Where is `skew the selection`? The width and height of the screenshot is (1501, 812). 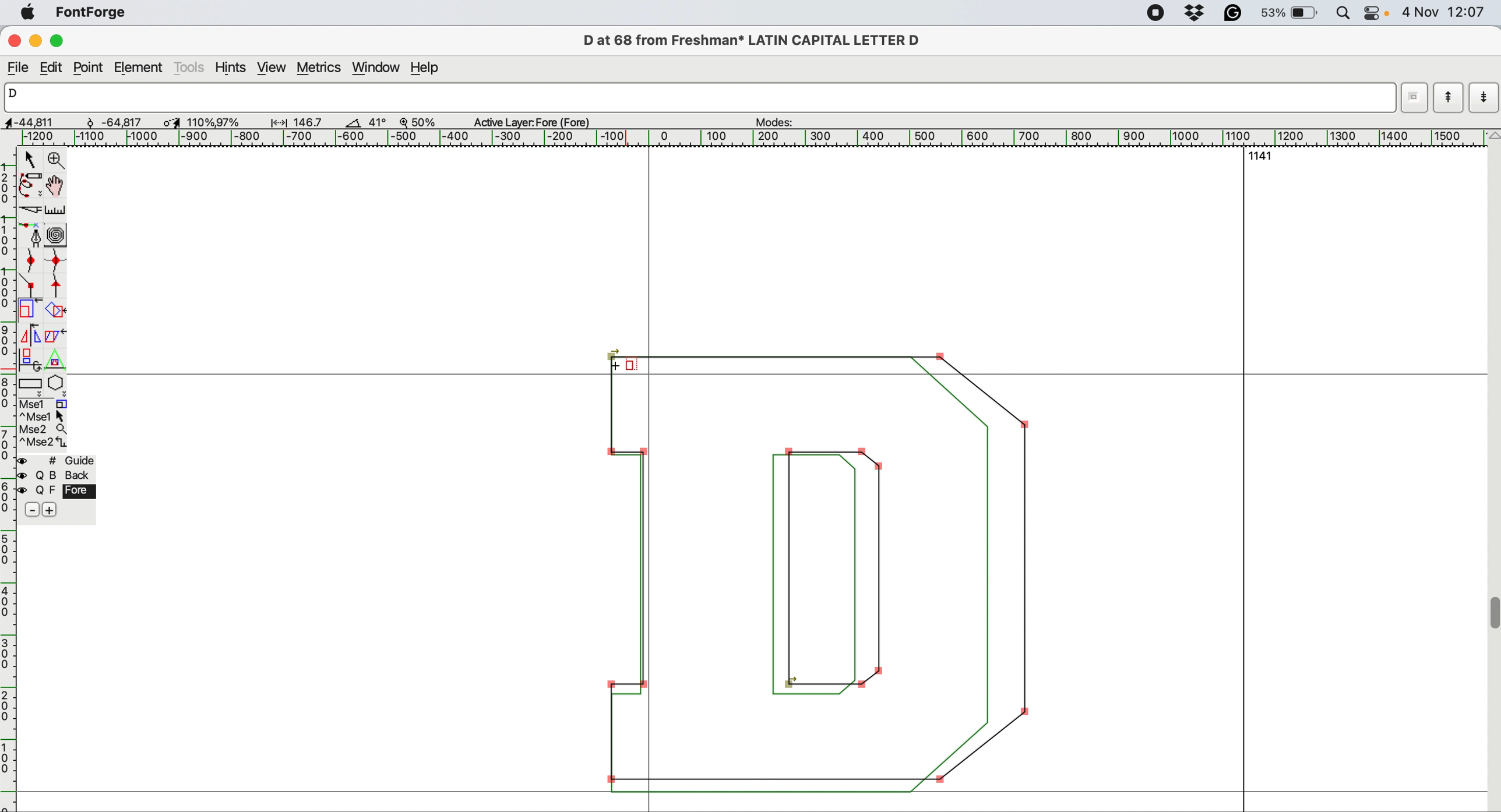
skew the selection is located at coordinates (55, 336).